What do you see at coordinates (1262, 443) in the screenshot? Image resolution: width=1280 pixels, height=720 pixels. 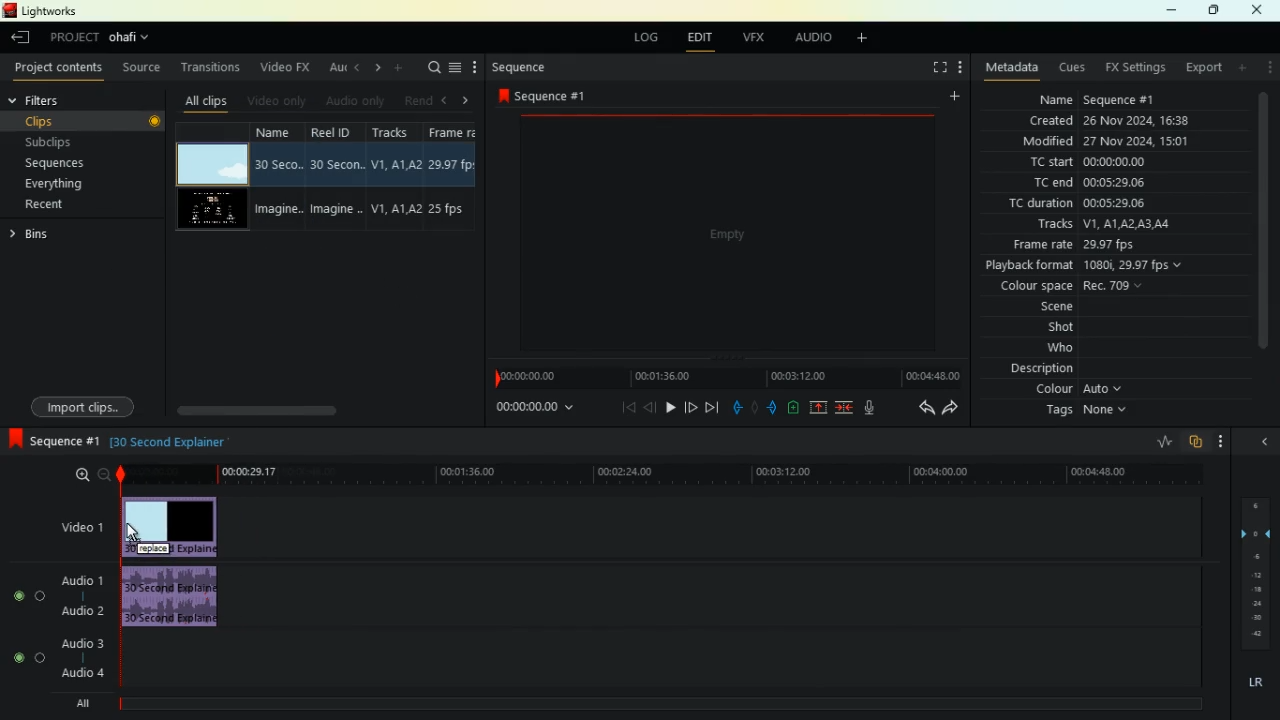 I see `close` at bounding box center [1262, 443].